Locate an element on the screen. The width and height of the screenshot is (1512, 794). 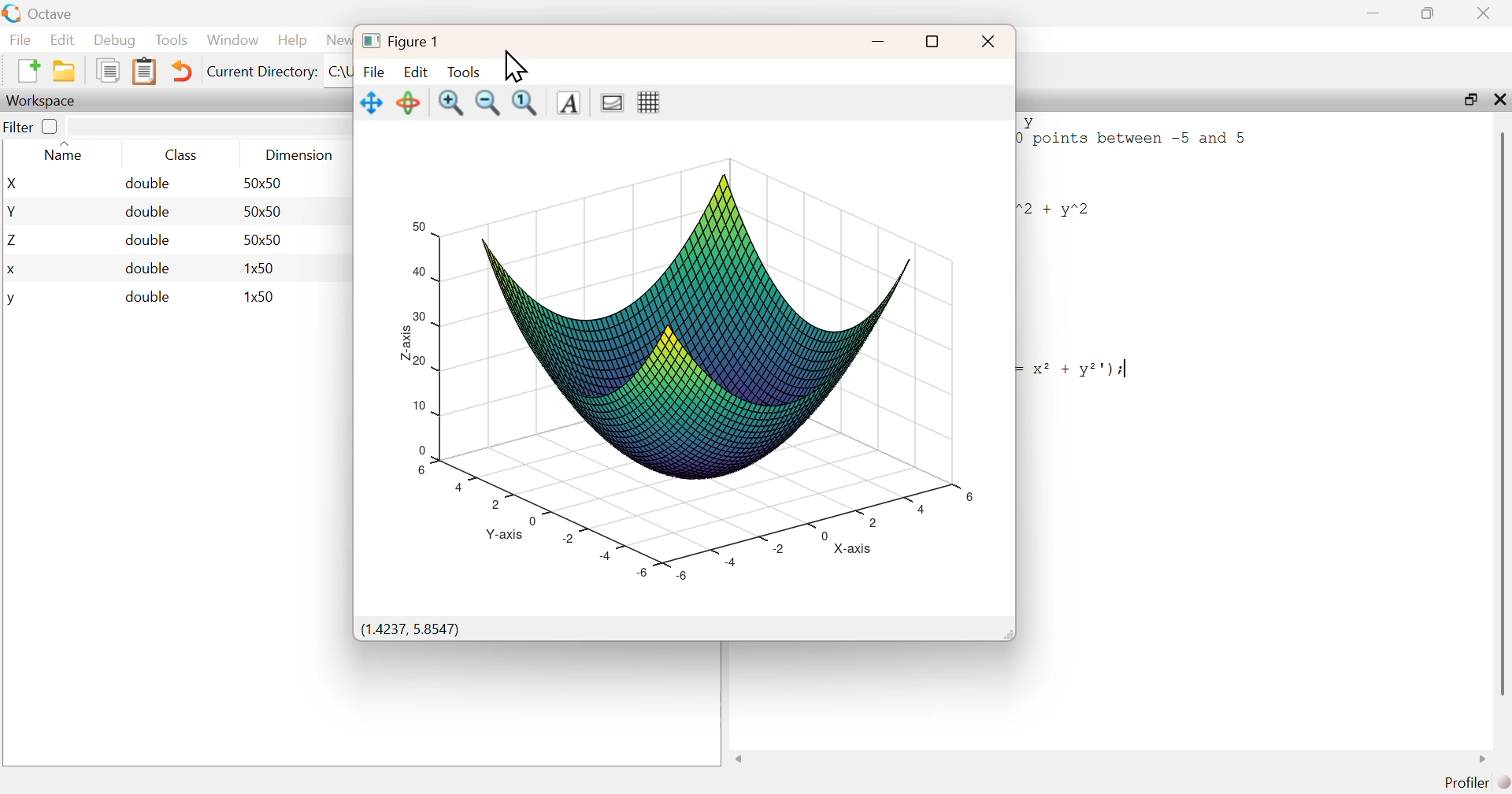
File is located at coordinates (20, 39).